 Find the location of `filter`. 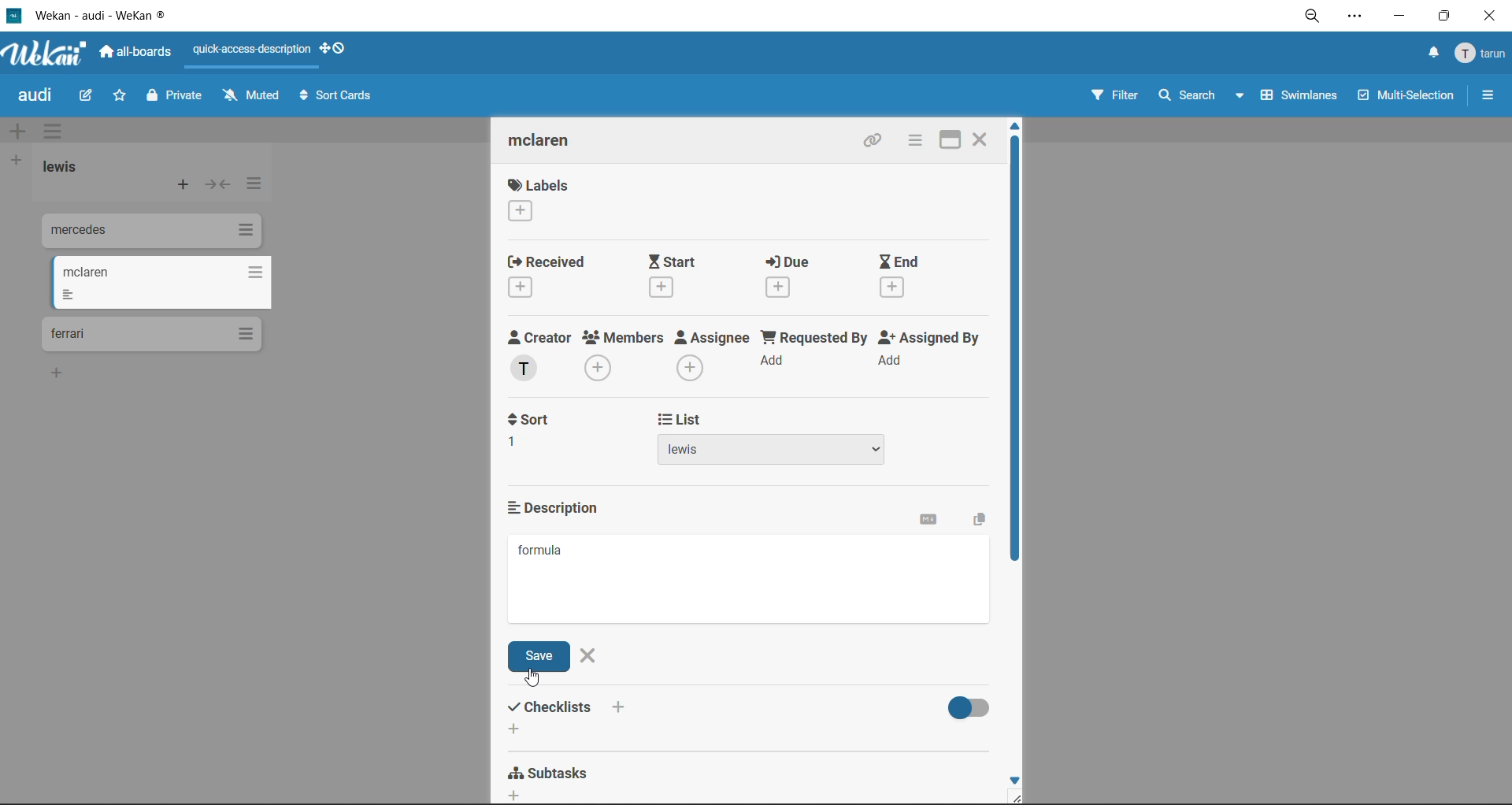

filter is located at coordinates (1114, 97).